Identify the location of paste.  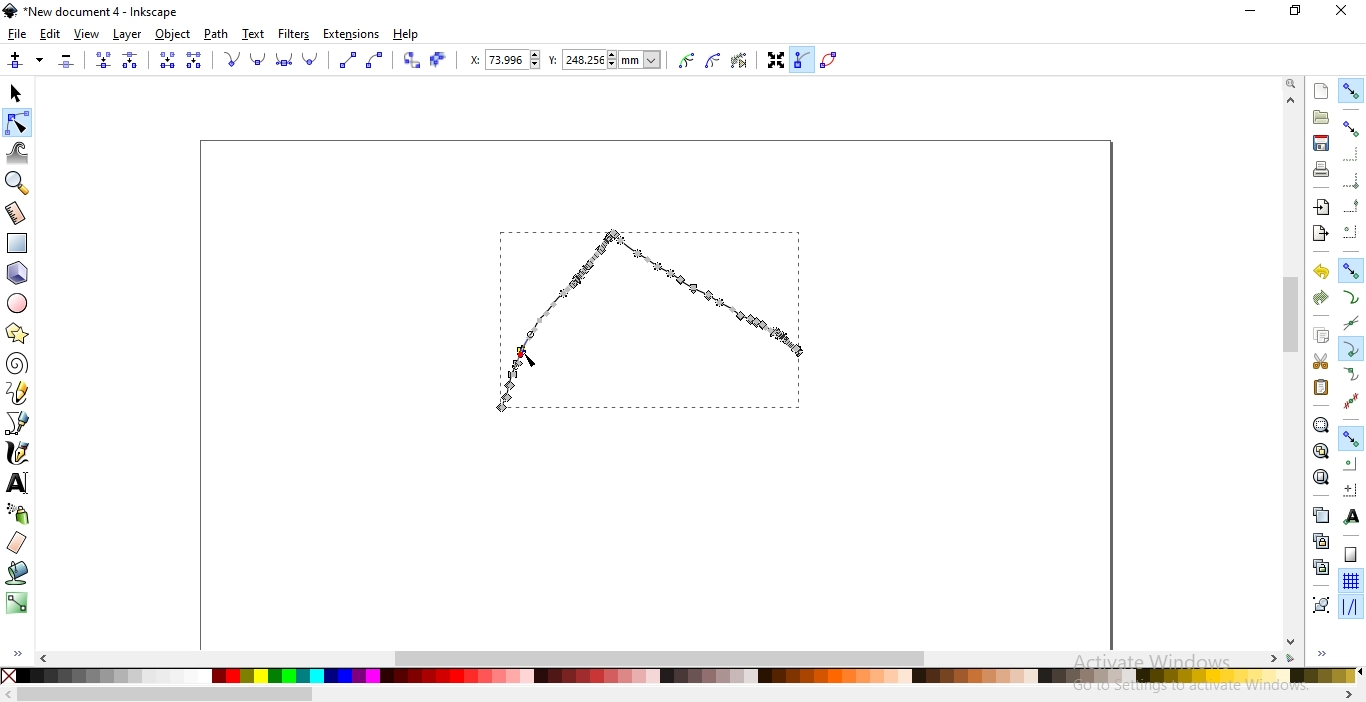
(1320, 387).